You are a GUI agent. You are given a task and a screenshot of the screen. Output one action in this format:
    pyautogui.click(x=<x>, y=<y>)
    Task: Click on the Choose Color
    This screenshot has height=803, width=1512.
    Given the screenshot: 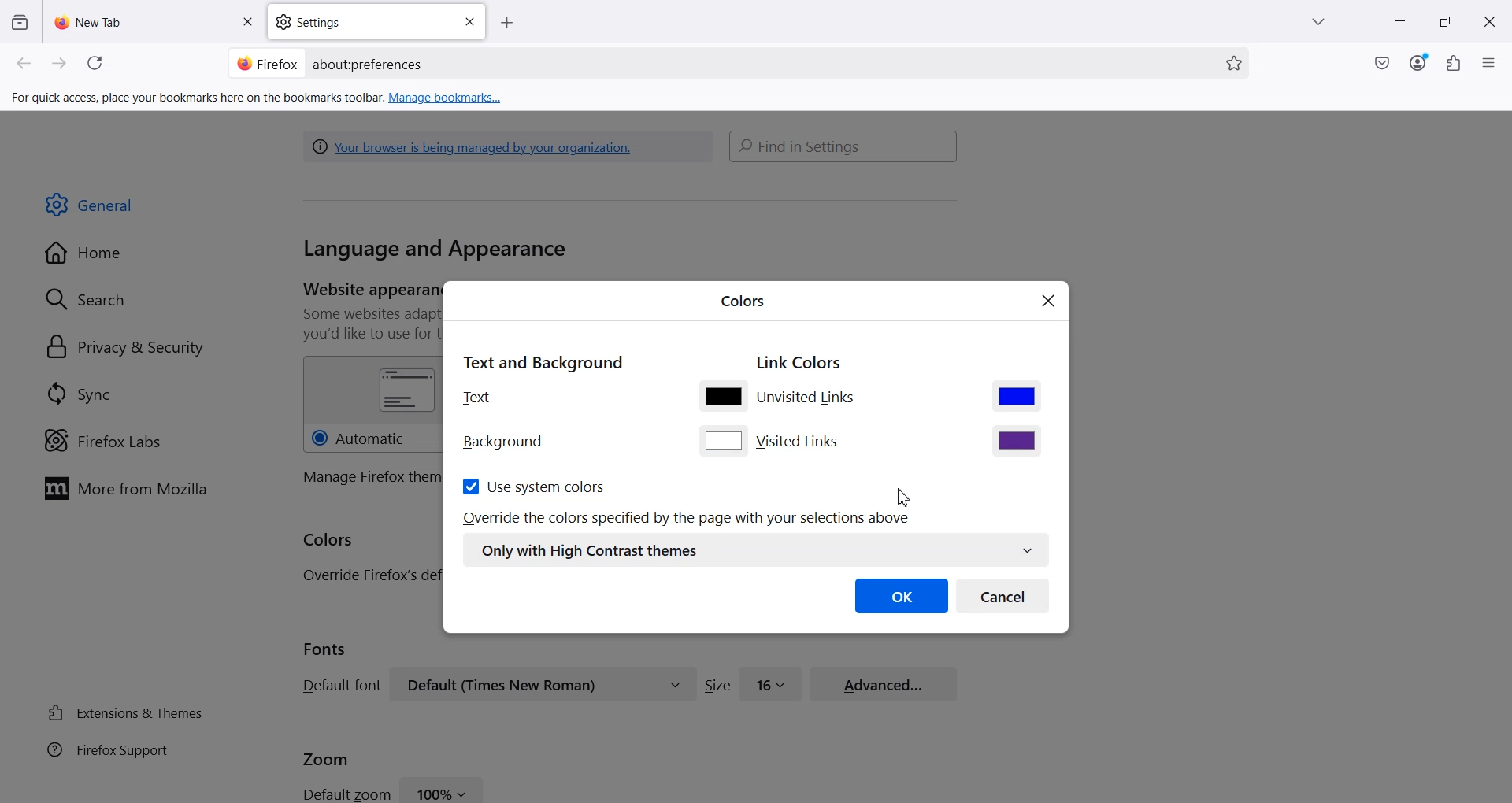 What is the action you would take?
    pyautogui.click(x=1017, y=395)
    